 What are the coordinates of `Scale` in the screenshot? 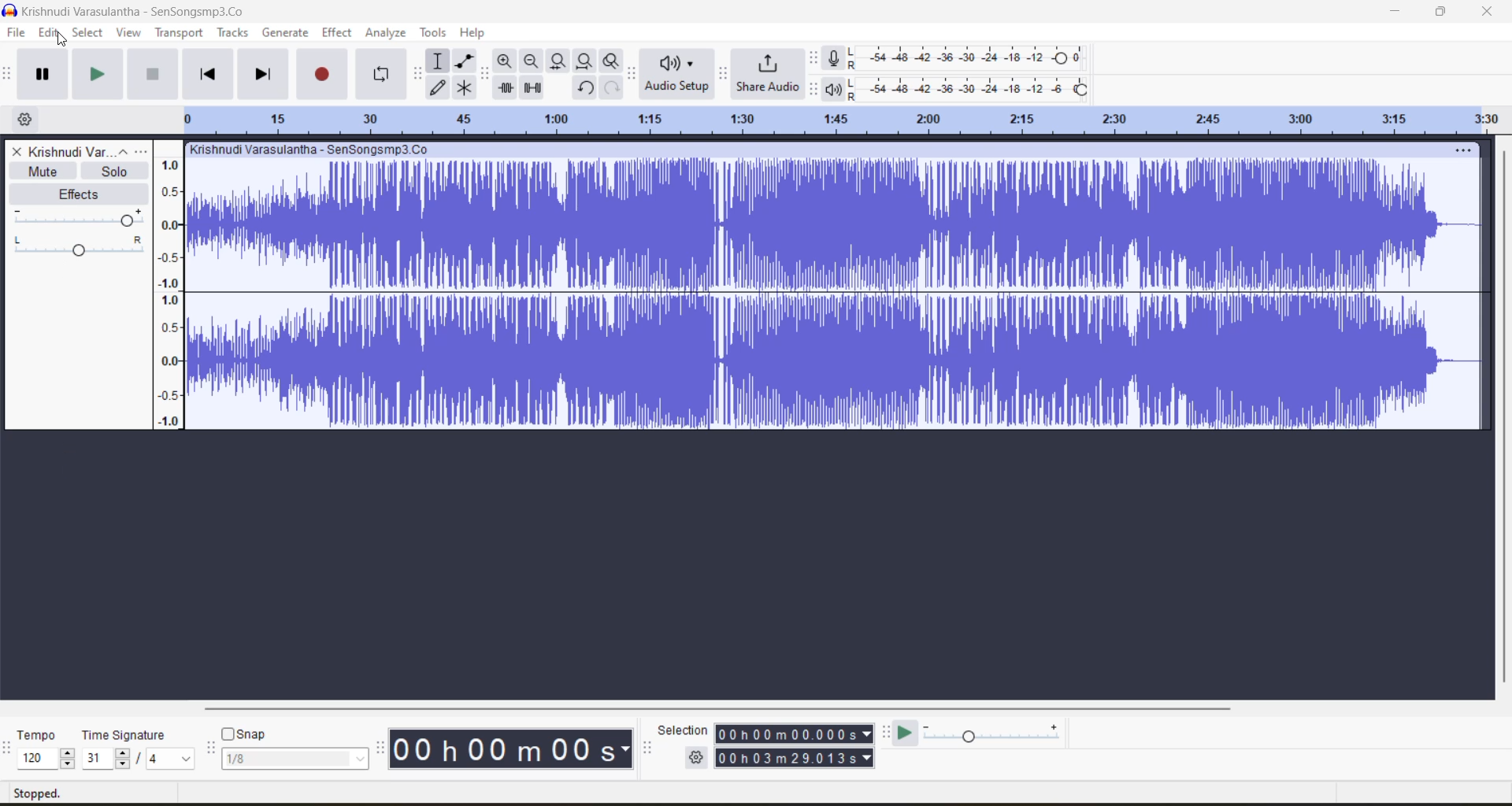 It's located at (842, 119).